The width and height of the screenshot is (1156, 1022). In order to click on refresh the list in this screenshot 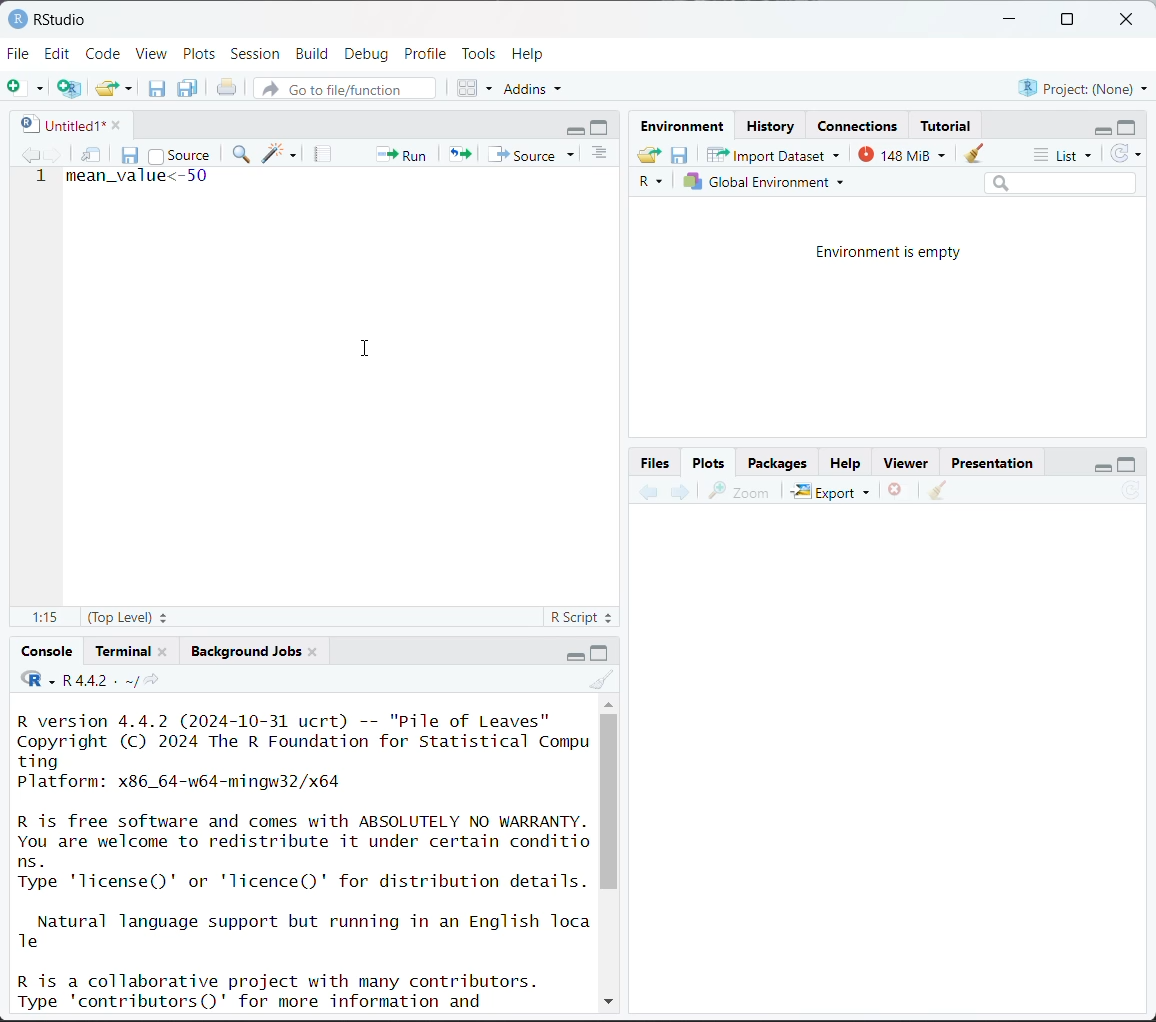, I will do `click(1126, 154)`.